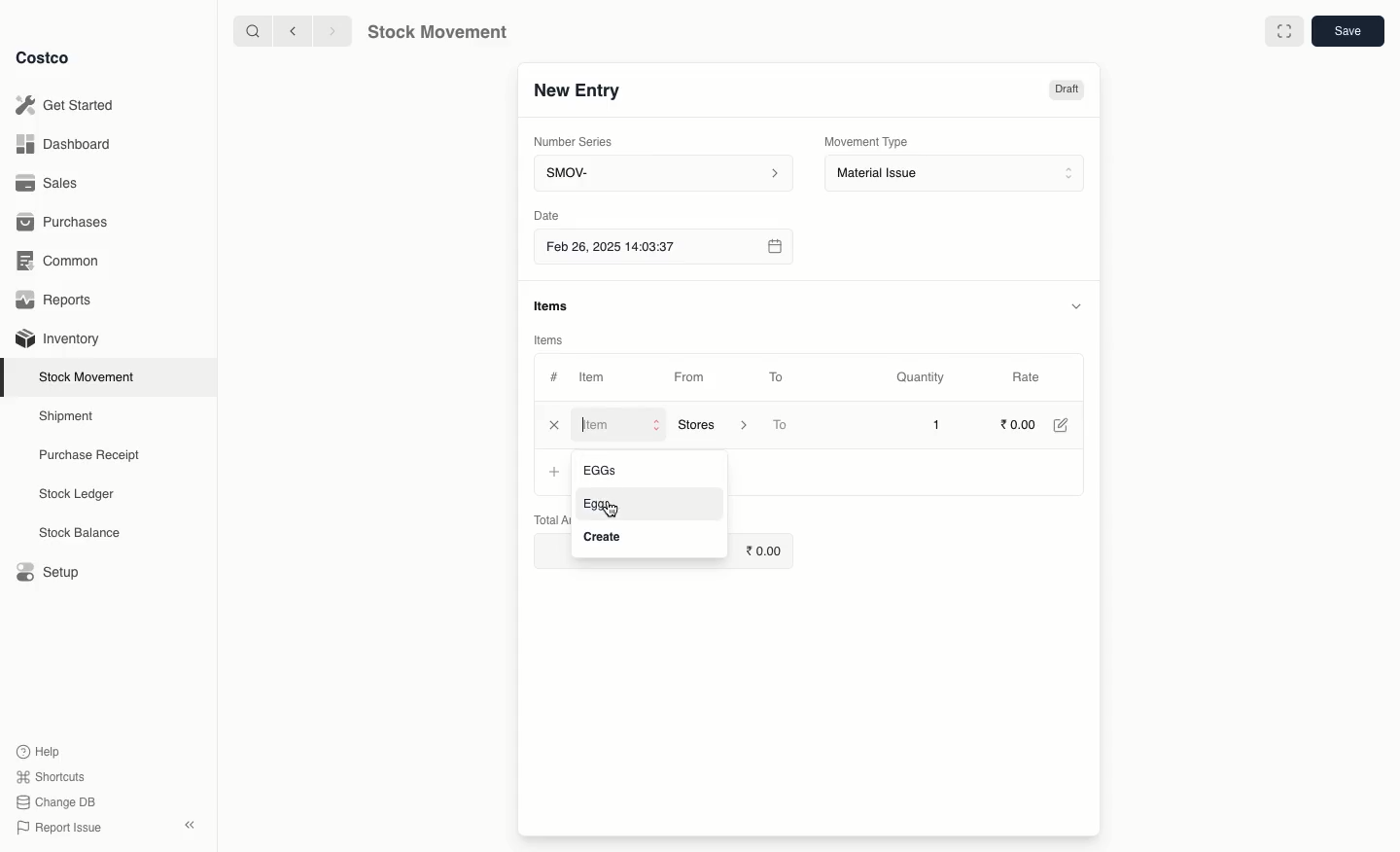  Describe the element at coordinates (67, 417) in the screenshot. I see `Shipment` at that location.